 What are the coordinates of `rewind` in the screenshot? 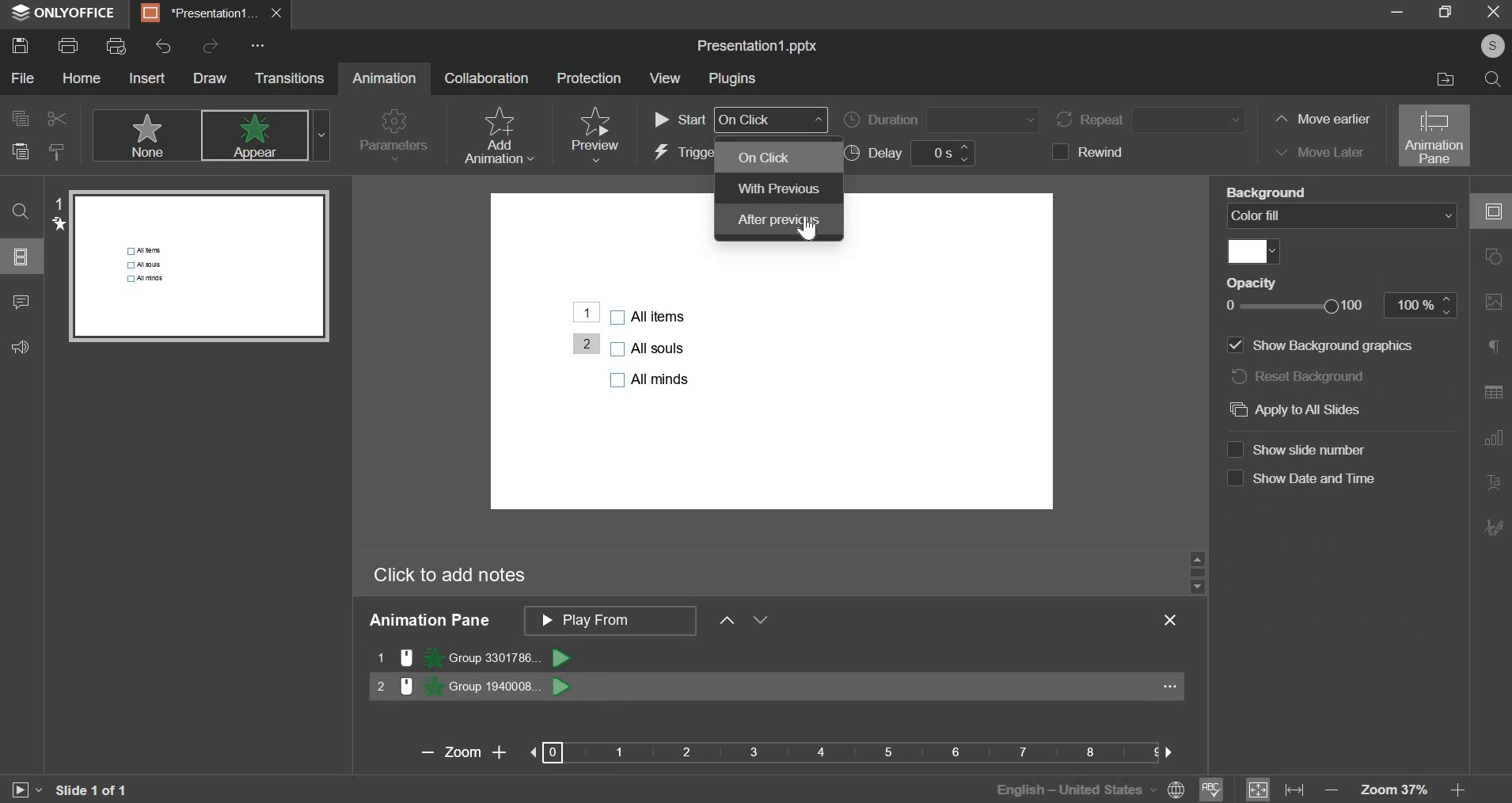 It's located at (1095, 151).